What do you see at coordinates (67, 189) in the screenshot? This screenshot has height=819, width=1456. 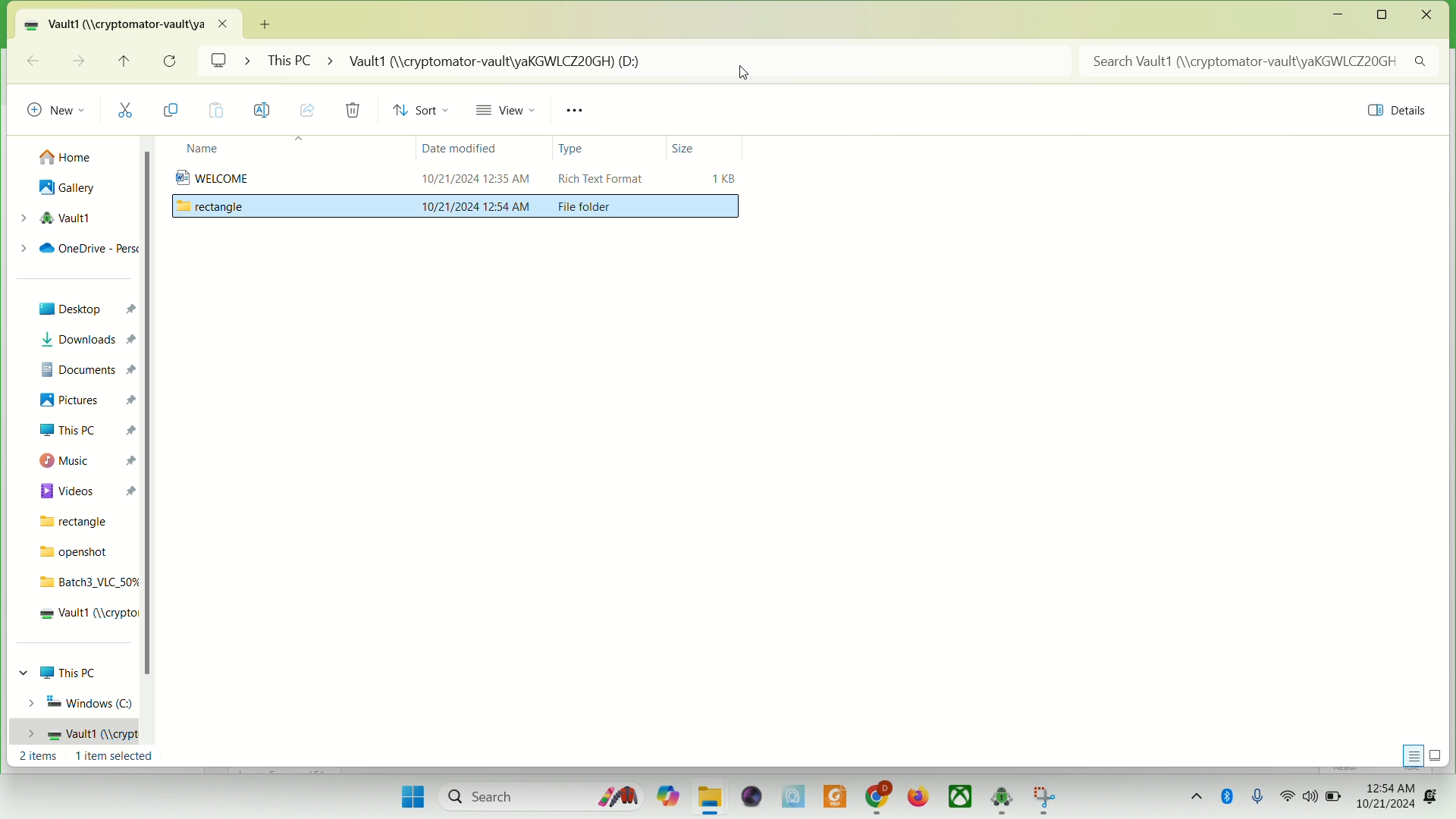 I see `gallery` at bounding box center [67, 189].